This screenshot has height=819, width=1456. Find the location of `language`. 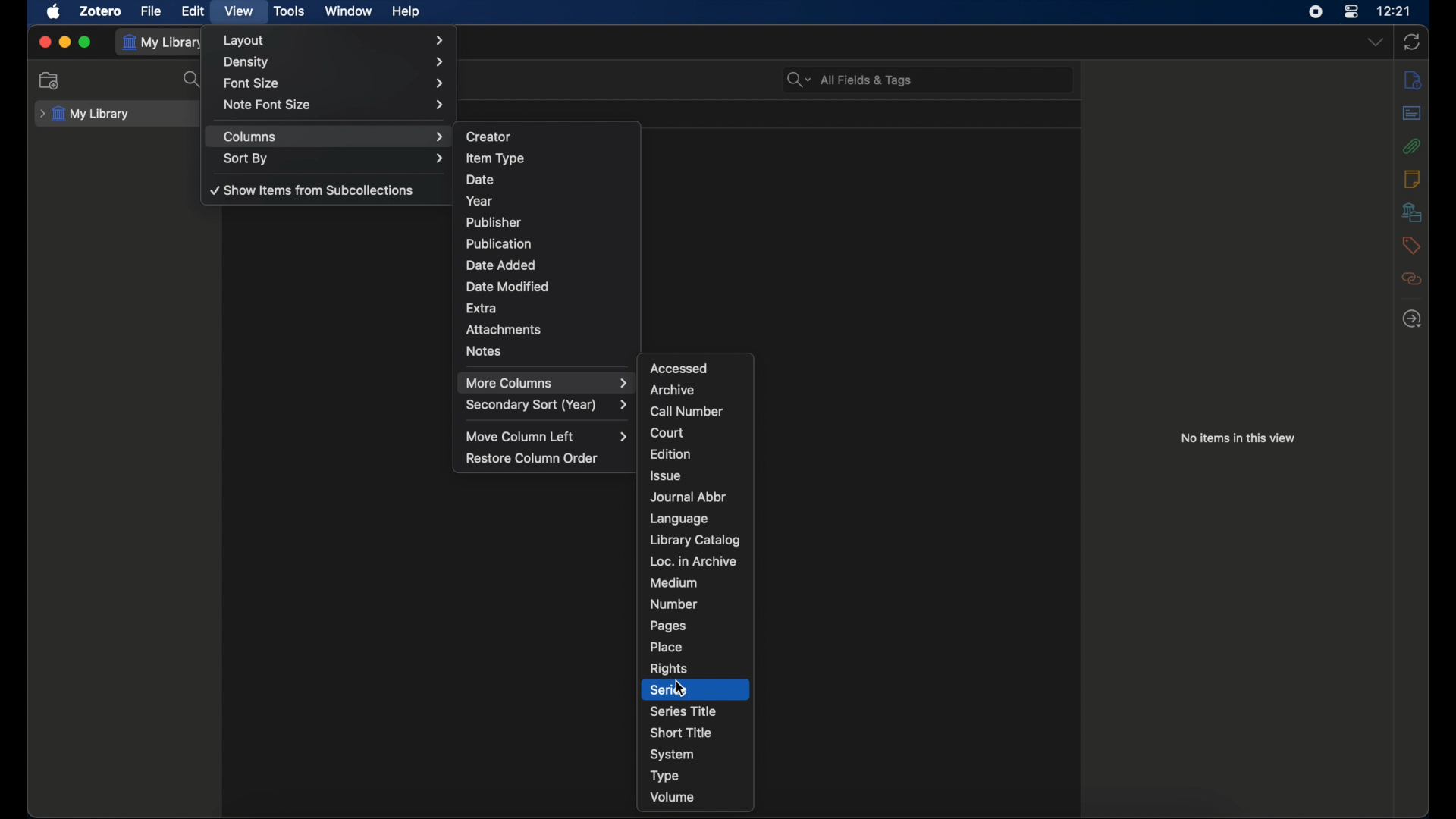

language is located at coordinates (679, 519).